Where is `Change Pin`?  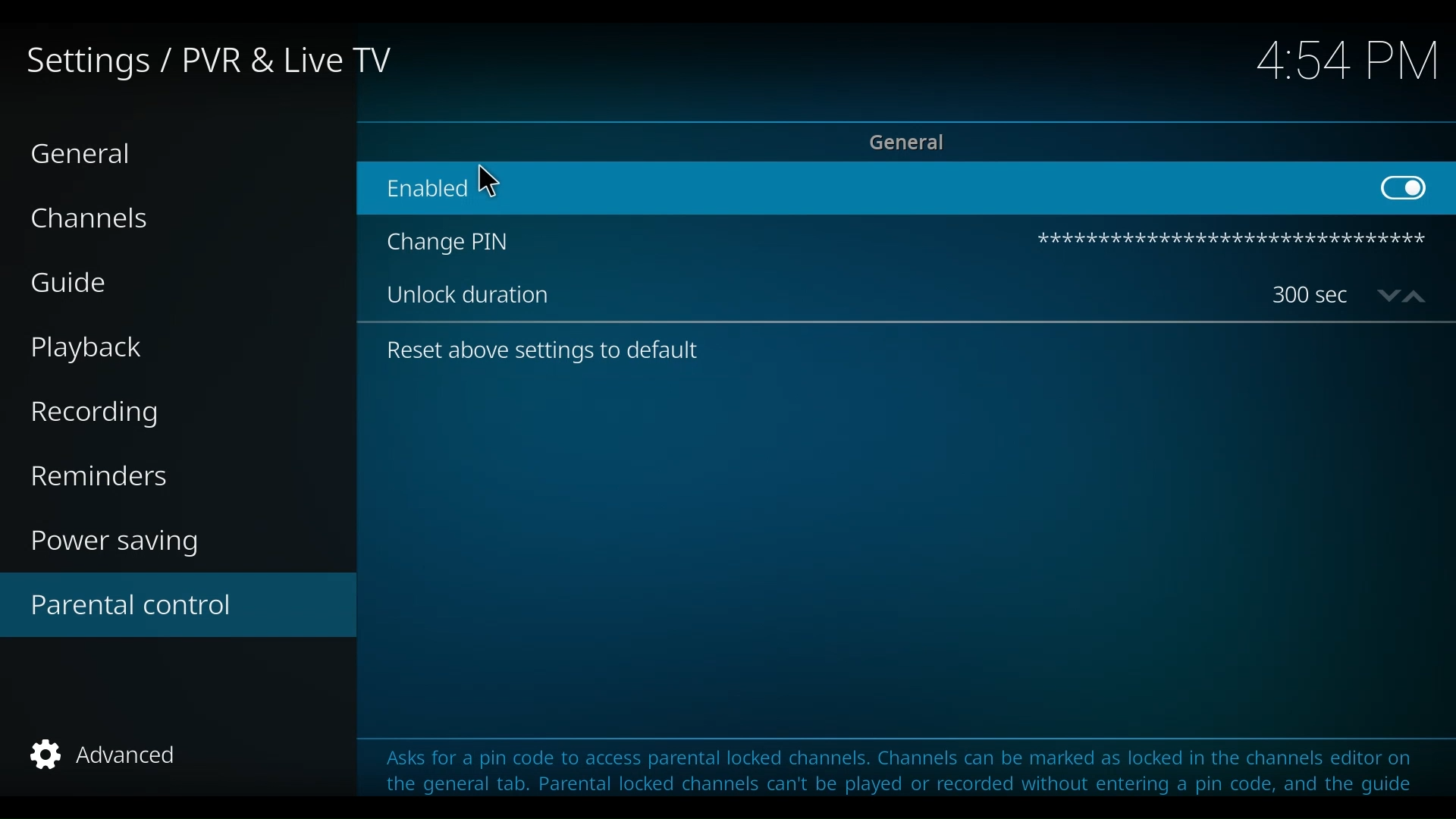 Change Pin is located at coordinates (699, 240).